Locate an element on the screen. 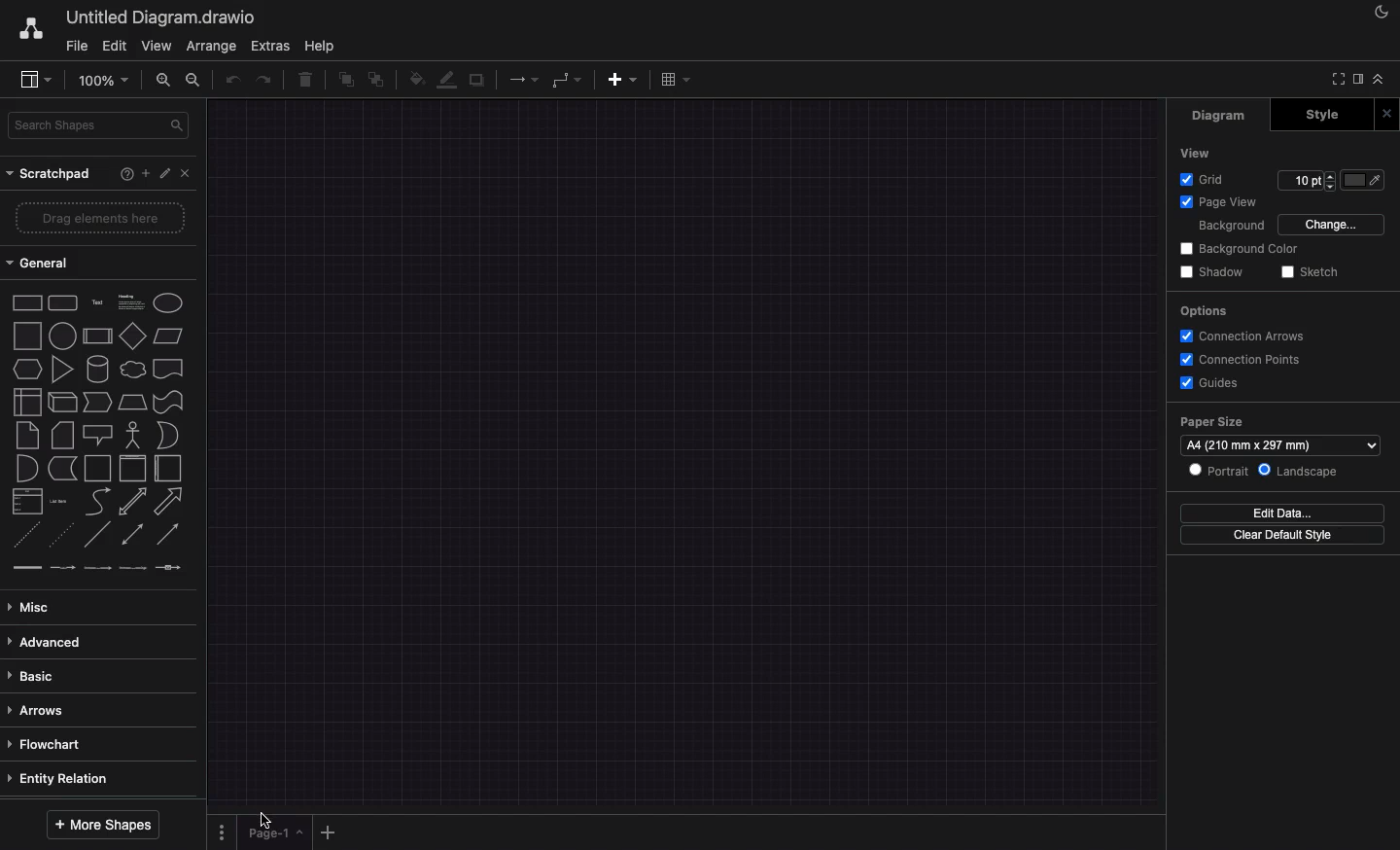 The width and height of the screenshot is (1400, 850). diagram is located at coordinates (1220, 117).